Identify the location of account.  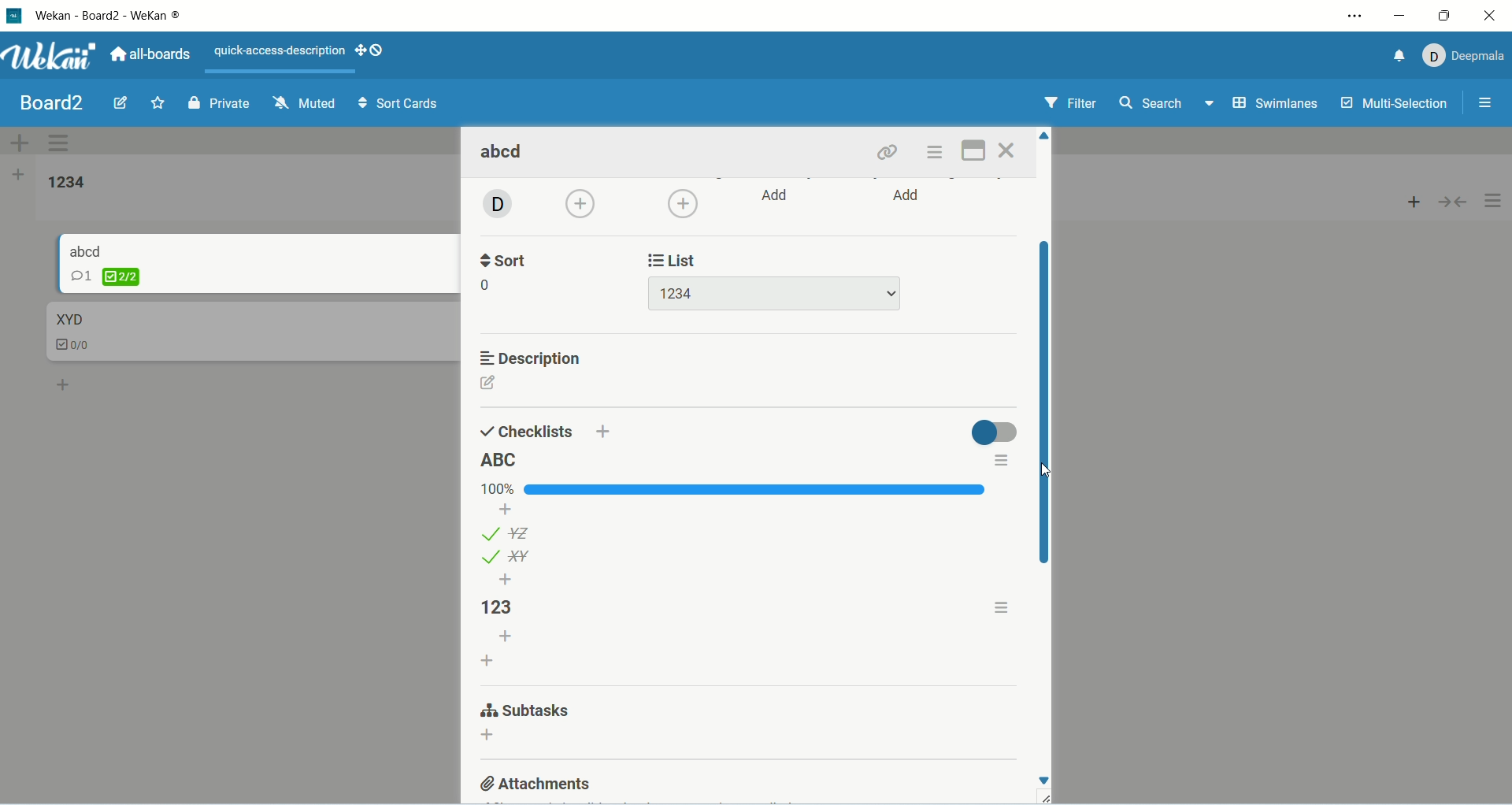
(1464, 56).